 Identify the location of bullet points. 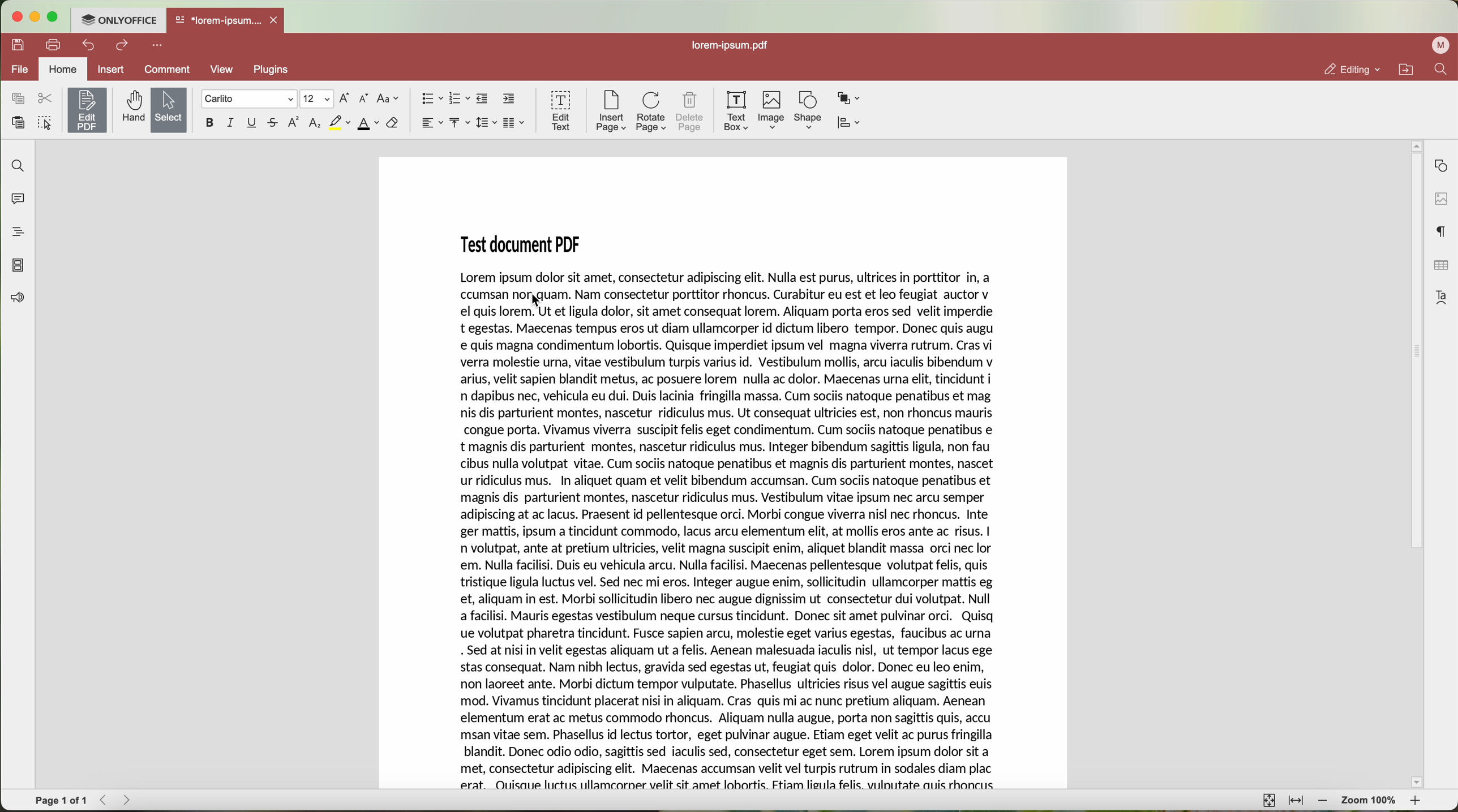
(431, 98).